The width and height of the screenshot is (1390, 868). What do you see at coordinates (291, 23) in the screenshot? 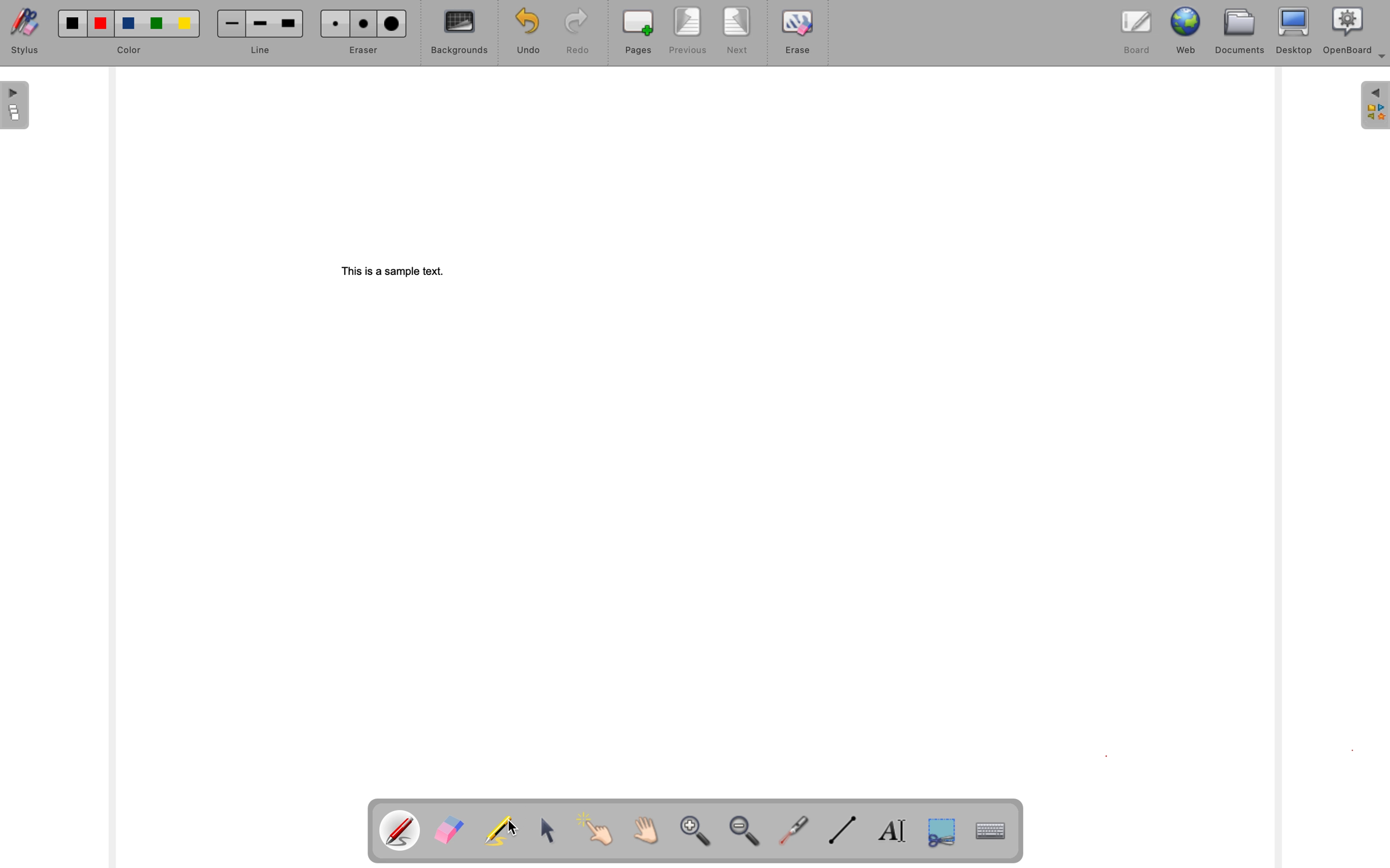
I see `Large line` at bounding box center [291, 23].